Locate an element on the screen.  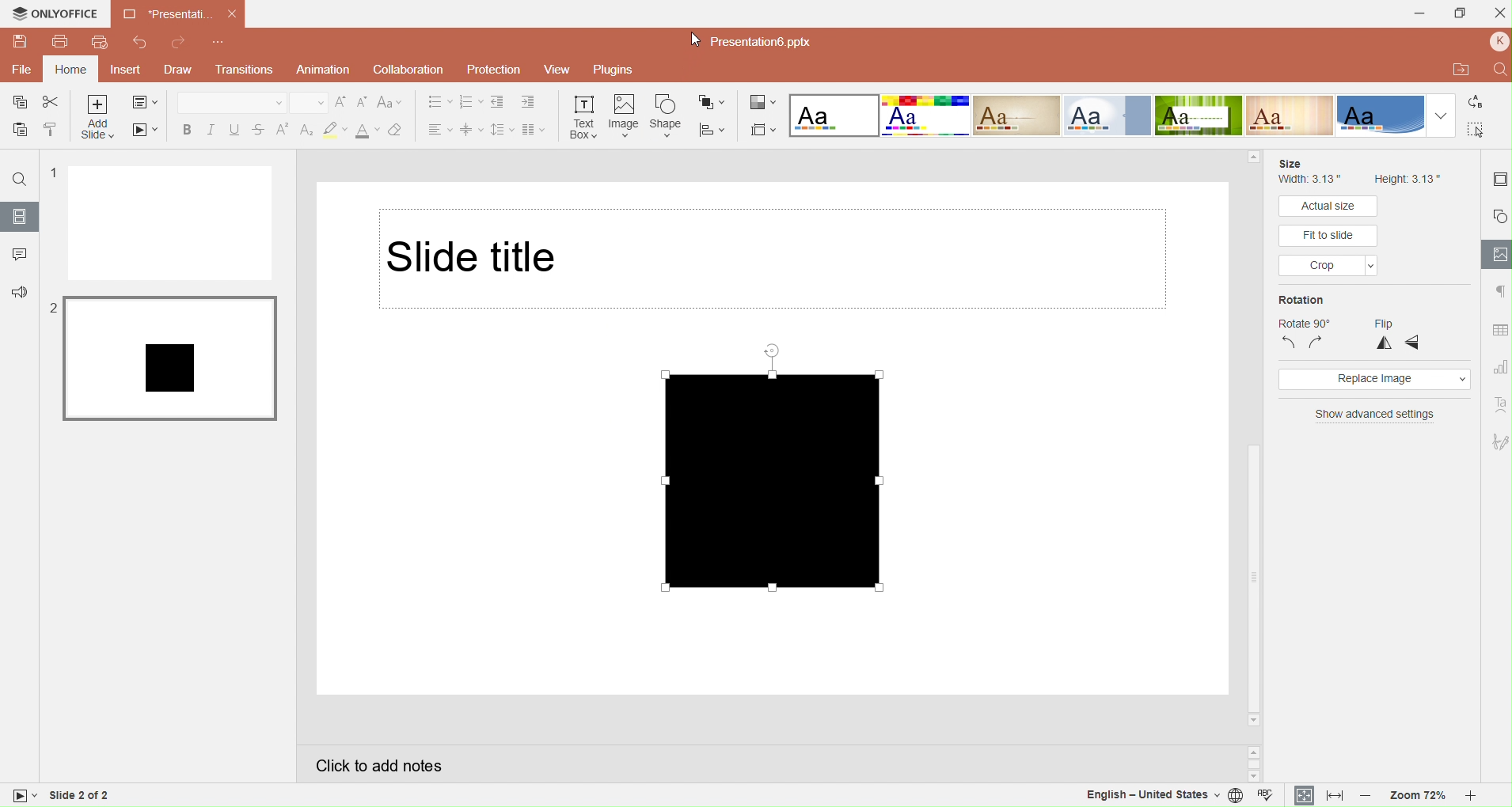
Select all is located at coordinates (1477, 127).